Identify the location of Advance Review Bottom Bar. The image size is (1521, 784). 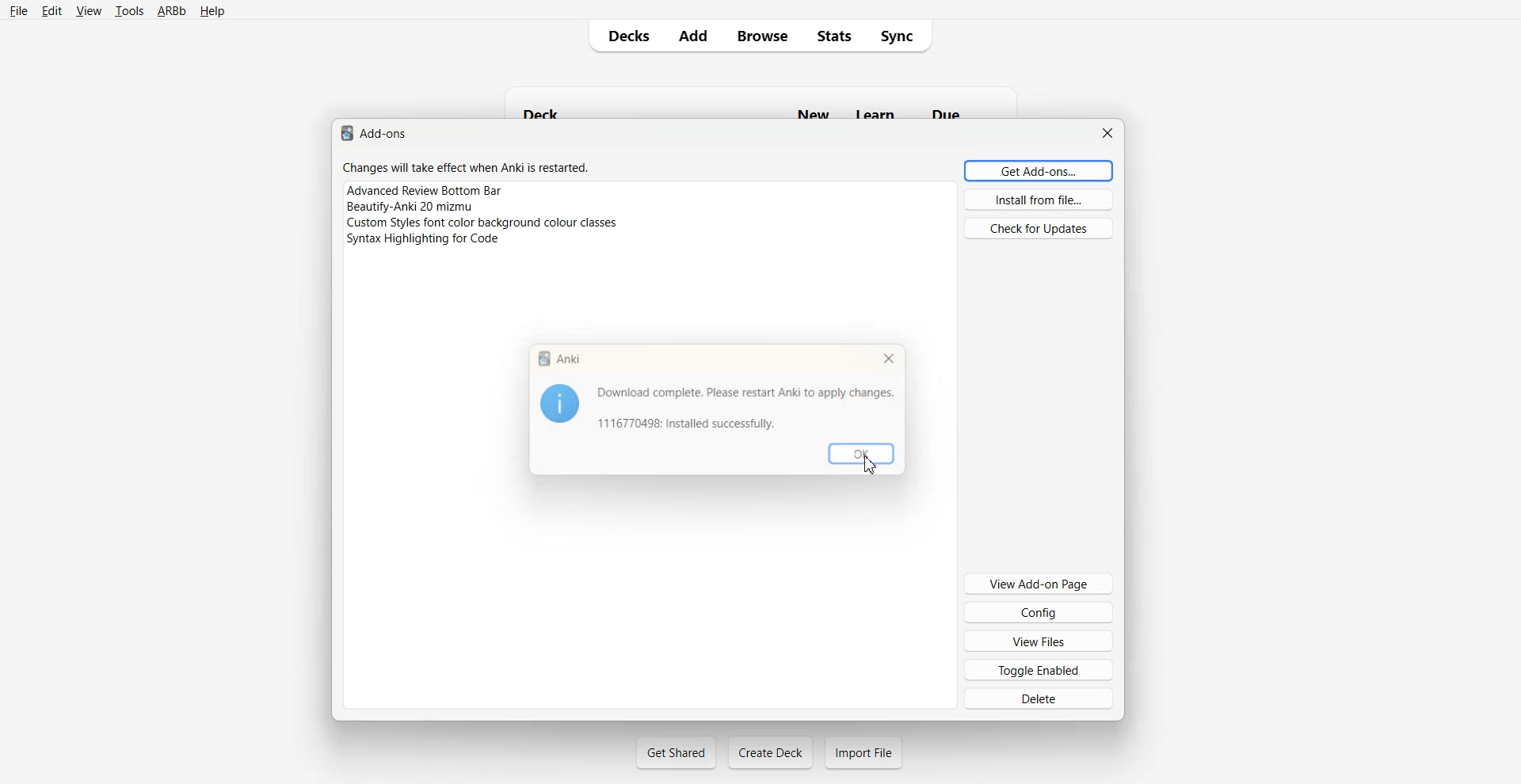
(650, 189).